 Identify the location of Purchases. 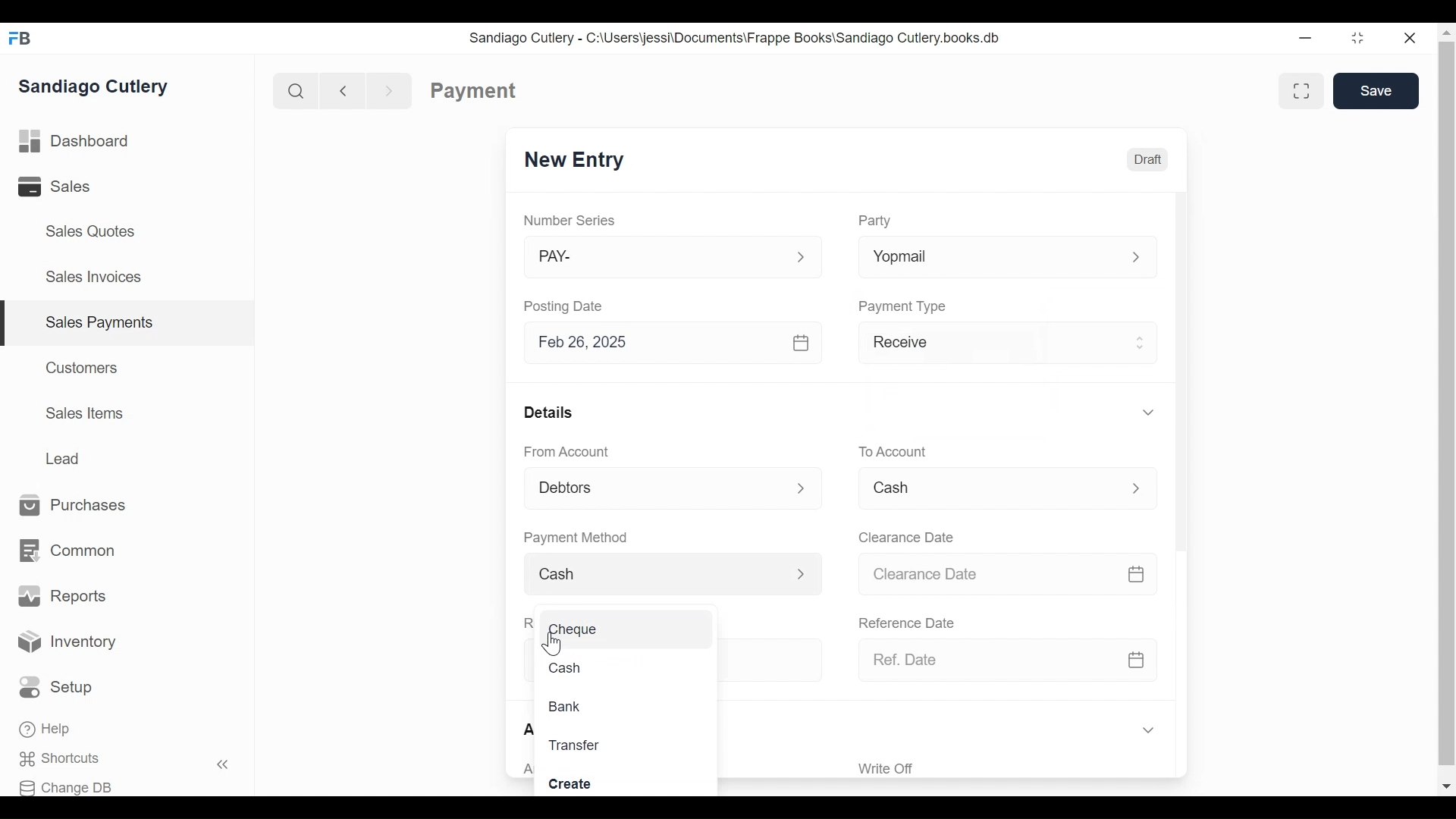
(74, 506).